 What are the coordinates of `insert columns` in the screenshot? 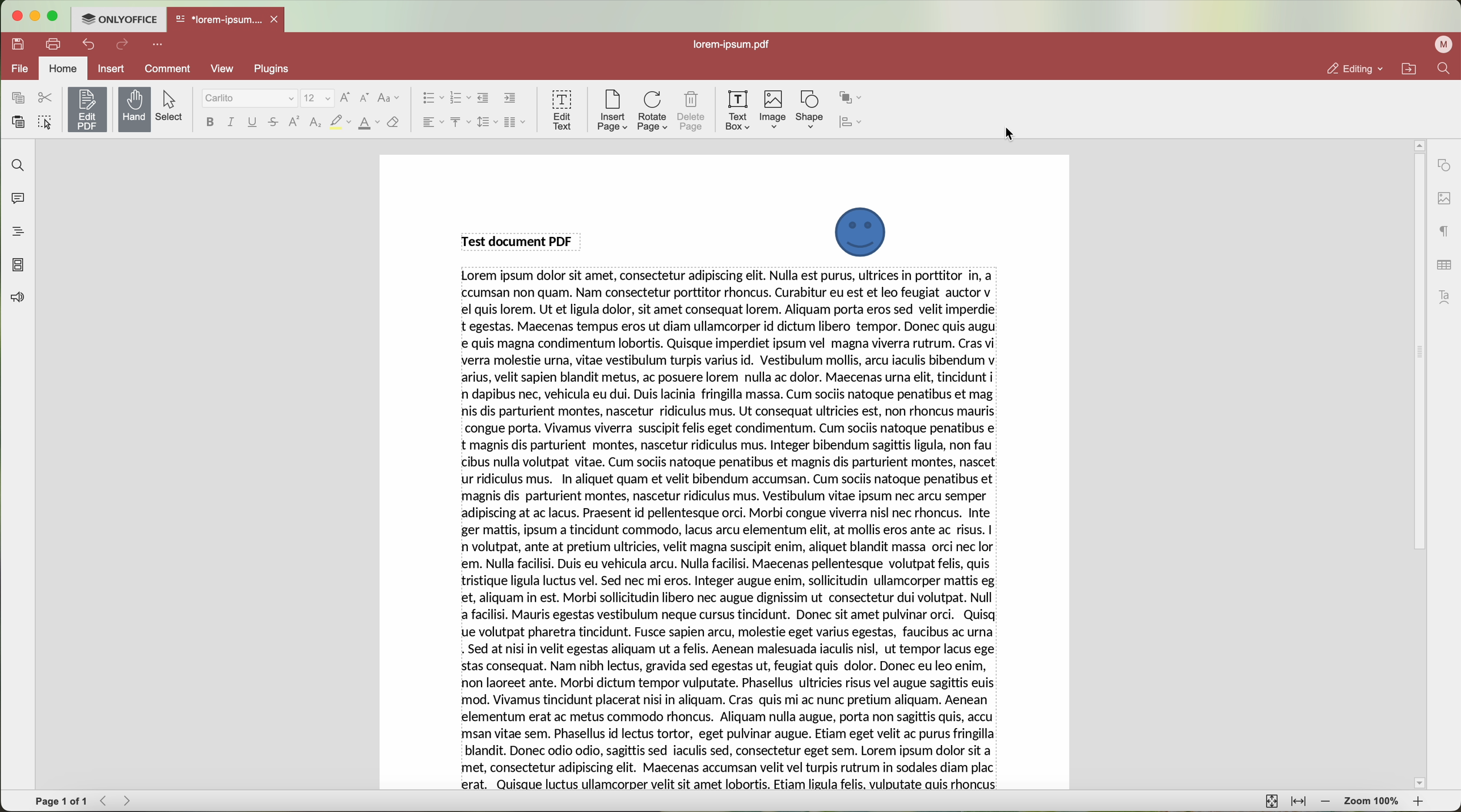 It's located at (516, 122).